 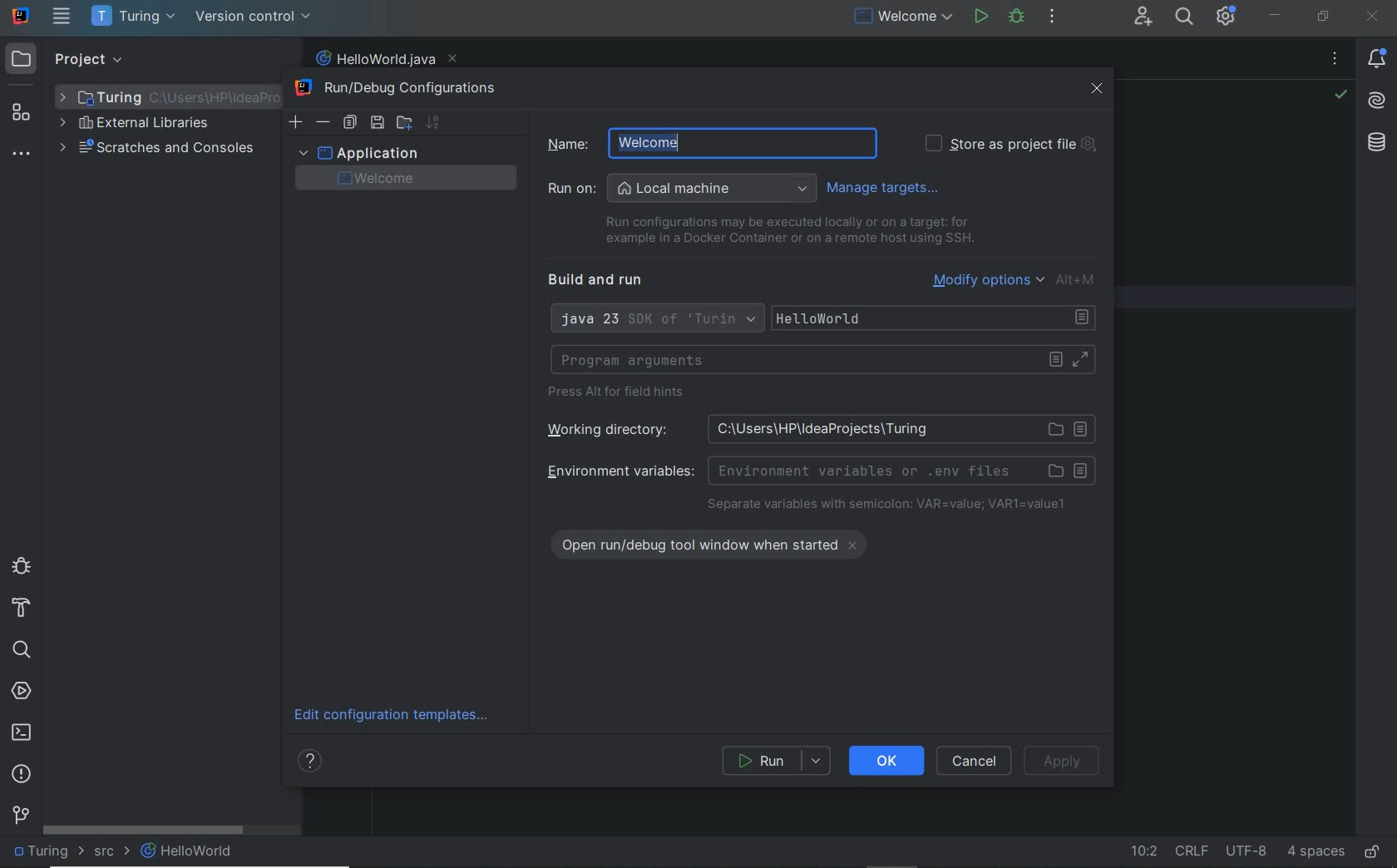 I want to click on RUN/DEBUG CONFIGURATIONS, so click(x=402, y=89).